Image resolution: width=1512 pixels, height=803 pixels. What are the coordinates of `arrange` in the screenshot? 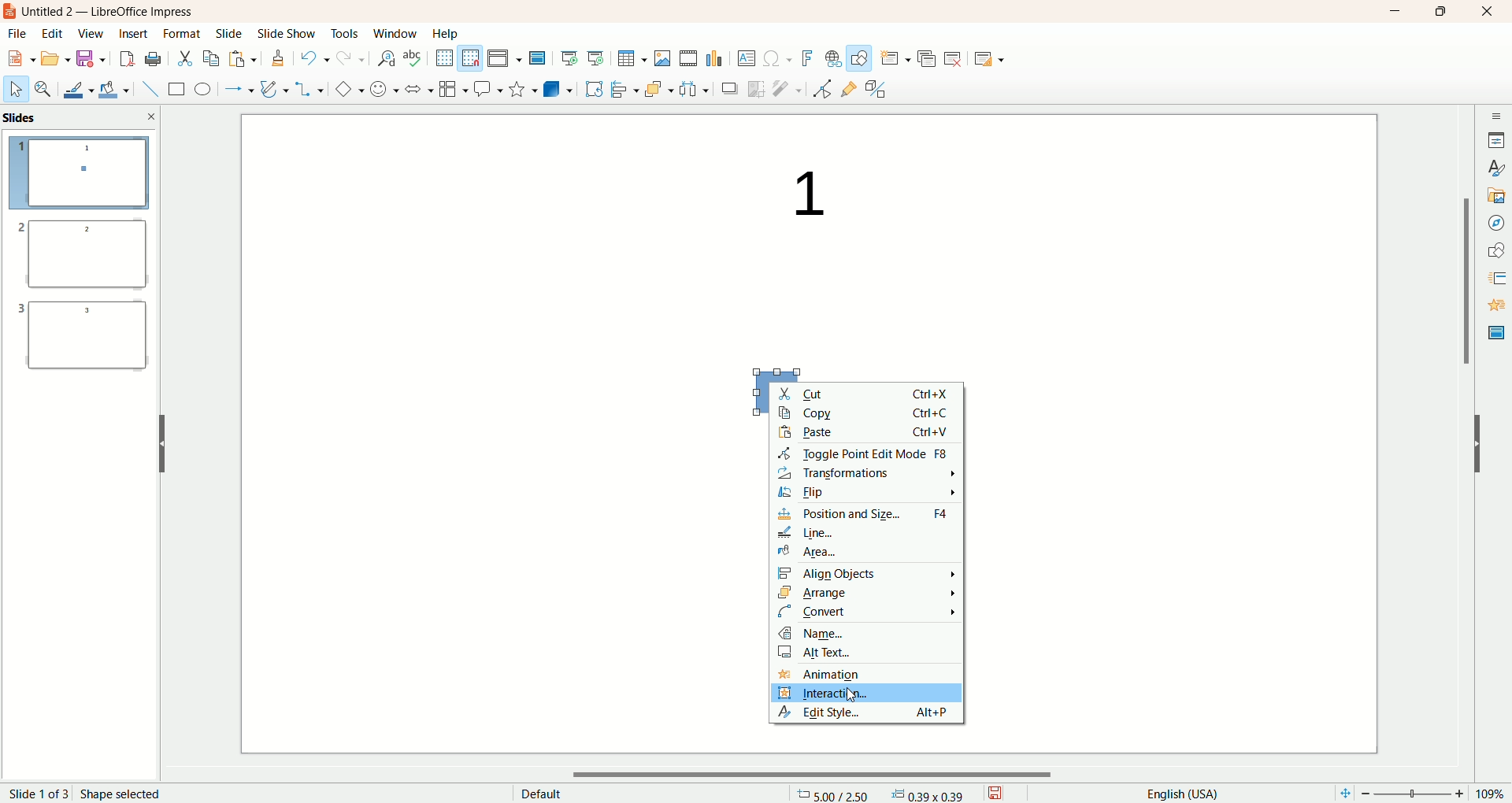 It's located at (865, 592).